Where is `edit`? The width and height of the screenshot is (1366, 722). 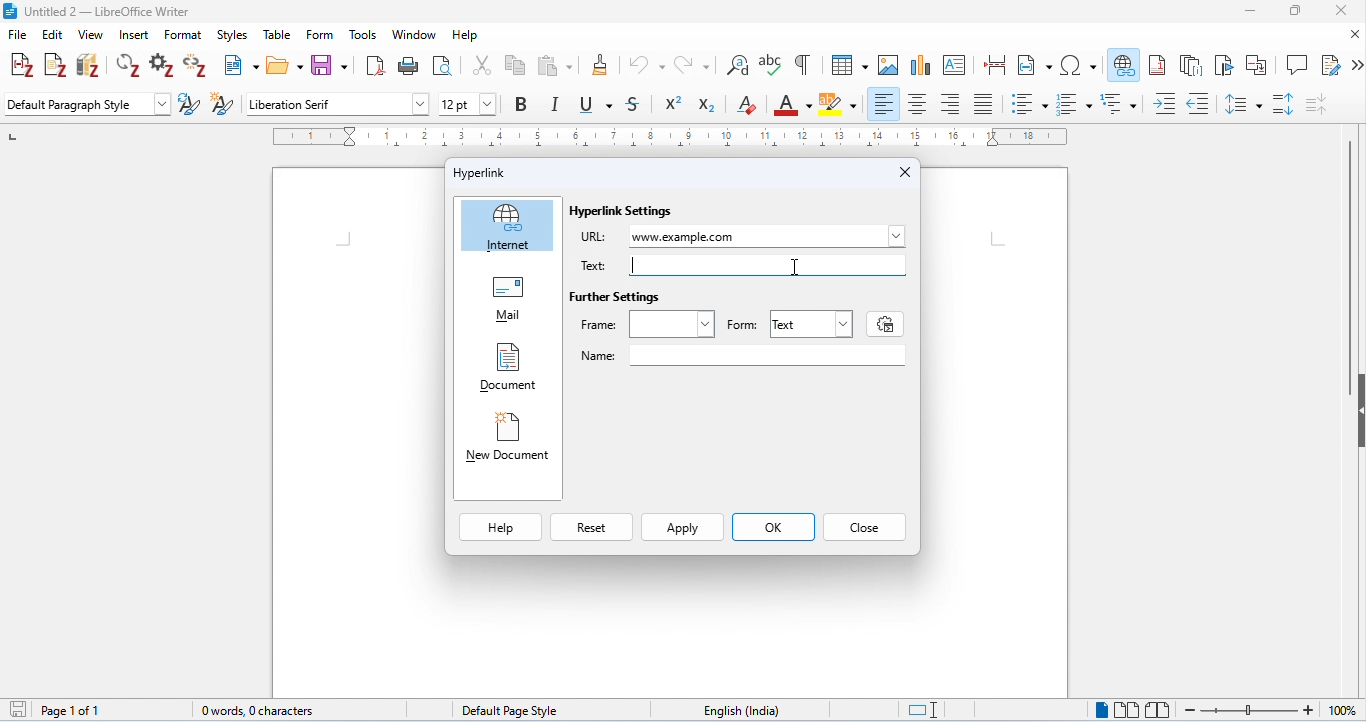 edit is located at coordinates (55, 34).